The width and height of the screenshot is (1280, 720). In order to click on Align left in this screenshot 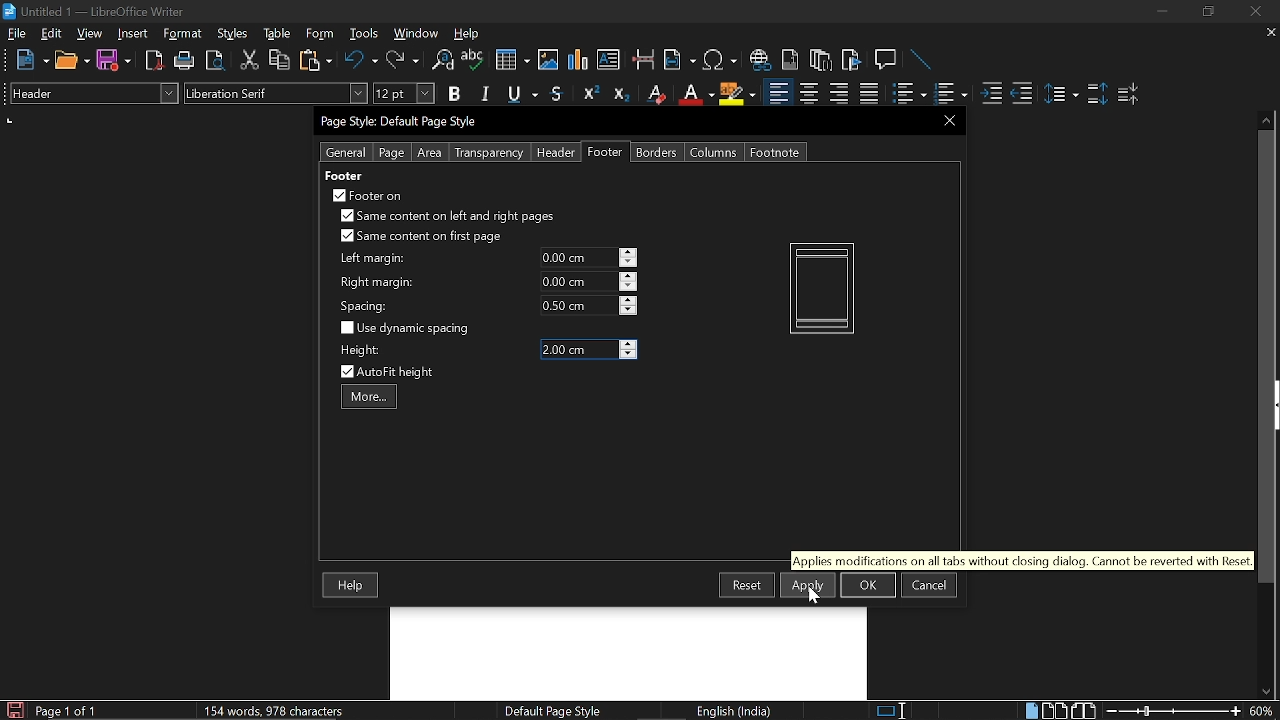, I will do `click(778, 94)`.